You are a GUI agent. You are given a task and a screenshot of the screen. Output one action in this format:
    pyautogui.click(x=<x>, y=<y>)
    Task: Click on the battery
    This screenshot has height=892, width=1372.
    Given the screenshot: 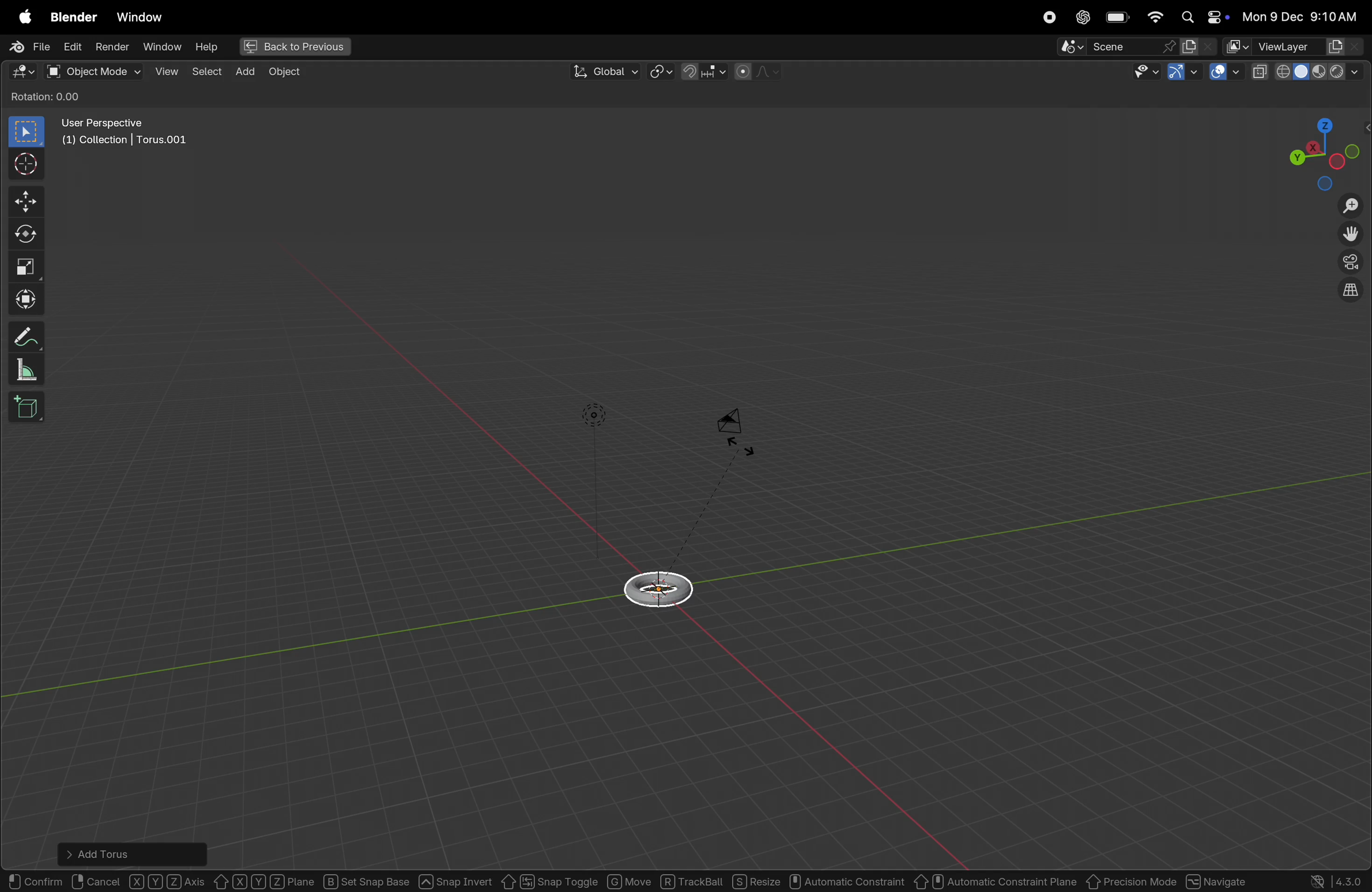 What is the action you would take?
    pyautogui.click(x=1118, y=18)
    